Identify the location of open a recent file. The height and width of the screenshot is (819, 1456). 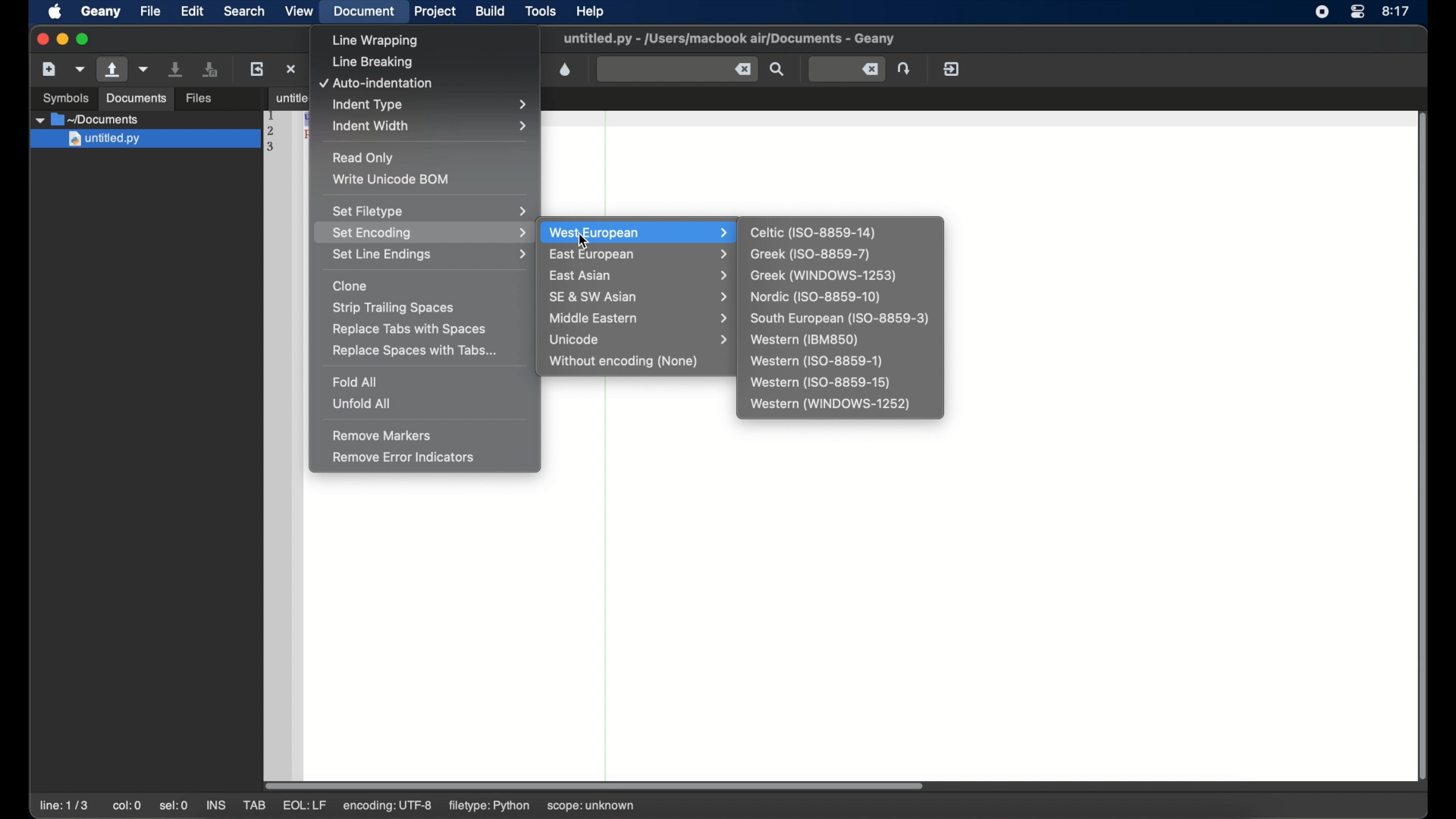
(144, 69).